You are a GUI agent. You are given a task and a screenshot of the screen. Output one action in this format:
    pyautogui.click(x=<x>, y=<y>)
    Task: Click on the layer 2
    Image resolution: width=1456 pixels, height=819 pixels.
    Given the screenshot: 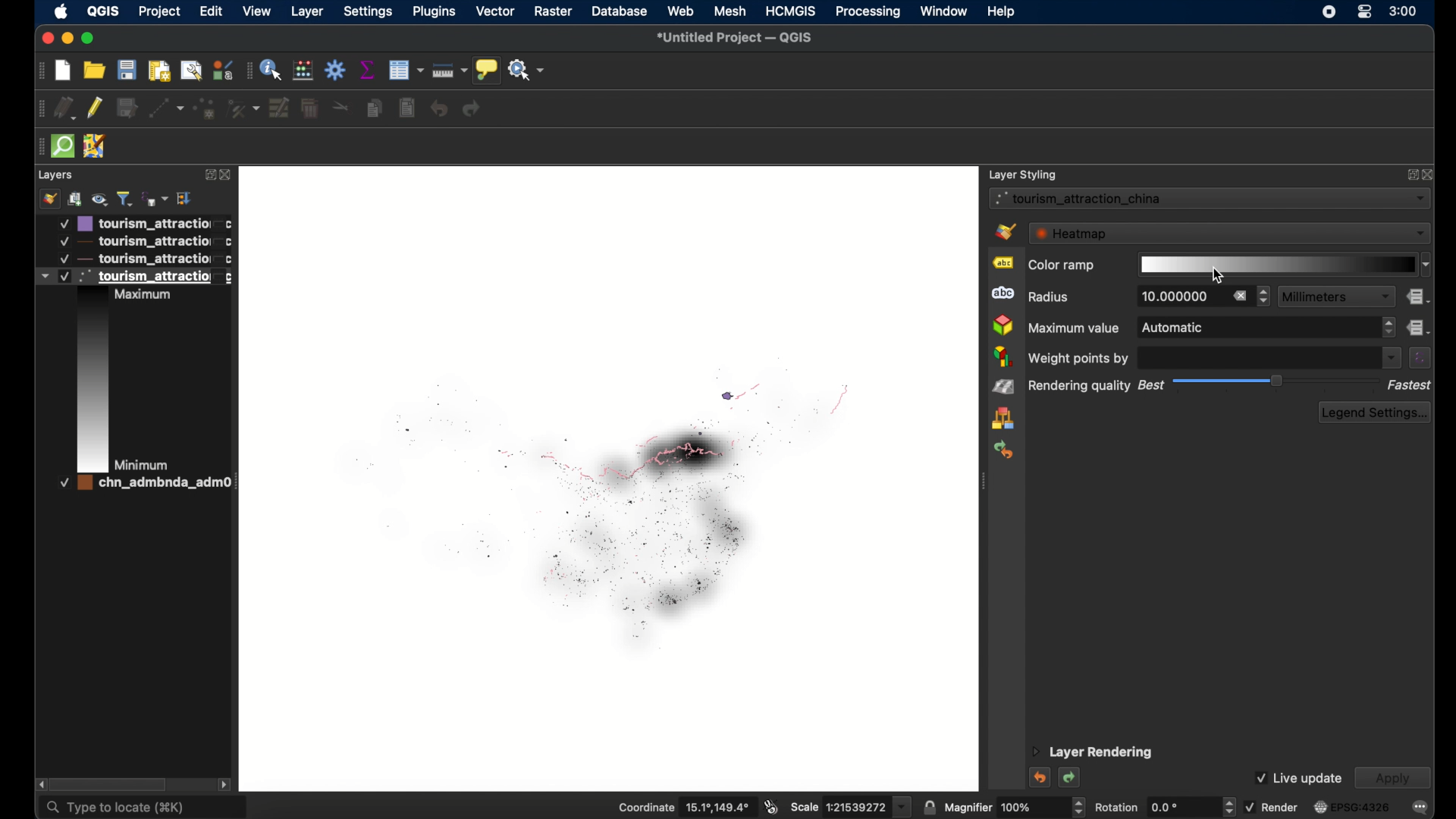 What is the action you would take?
    pyautogui.click(x=142, y=241)
    